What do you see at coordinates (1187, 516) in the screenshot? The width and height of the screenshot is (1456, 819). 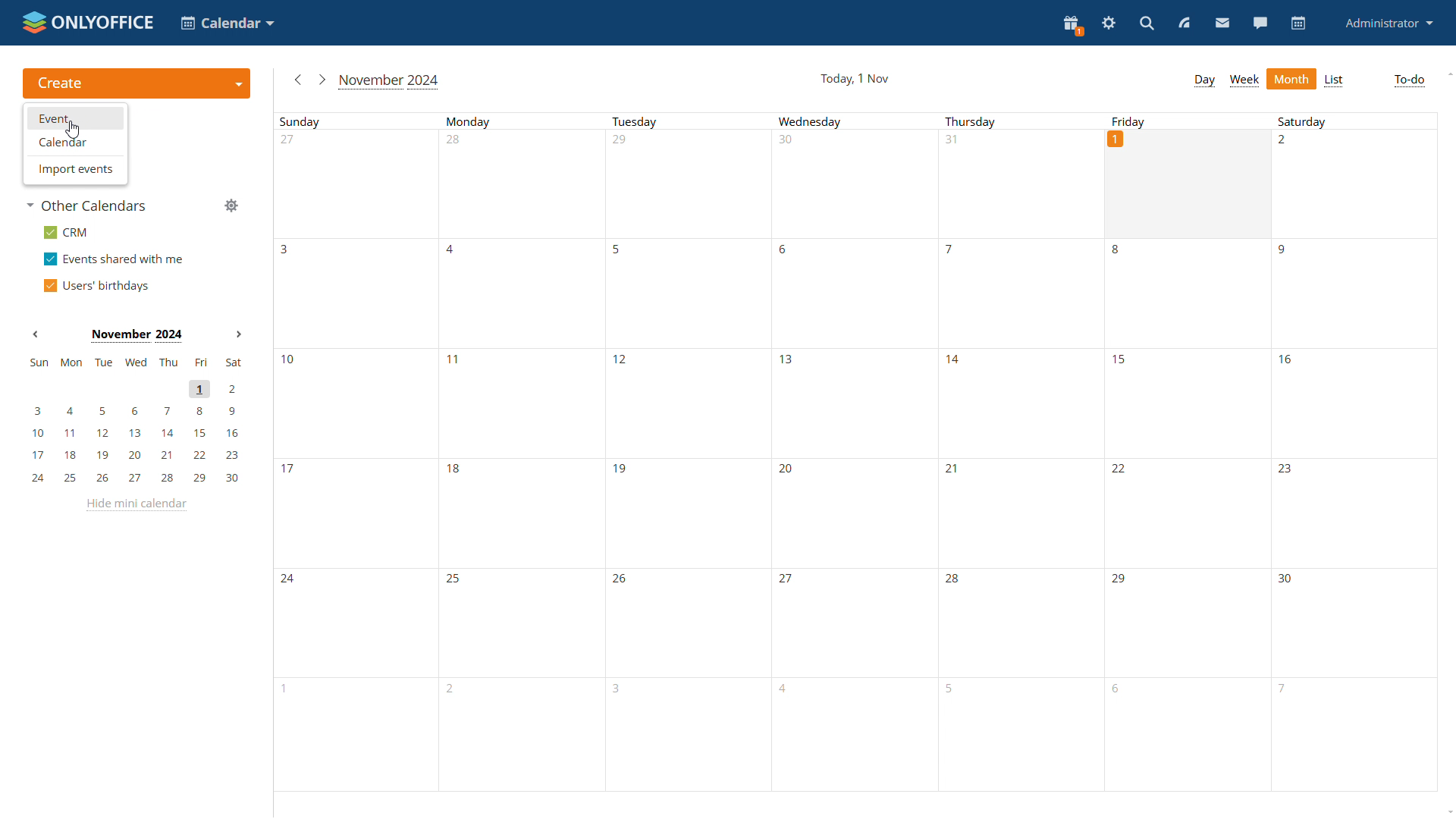 I see `Upcoming Fridays` at bounding box center [1187, 516].